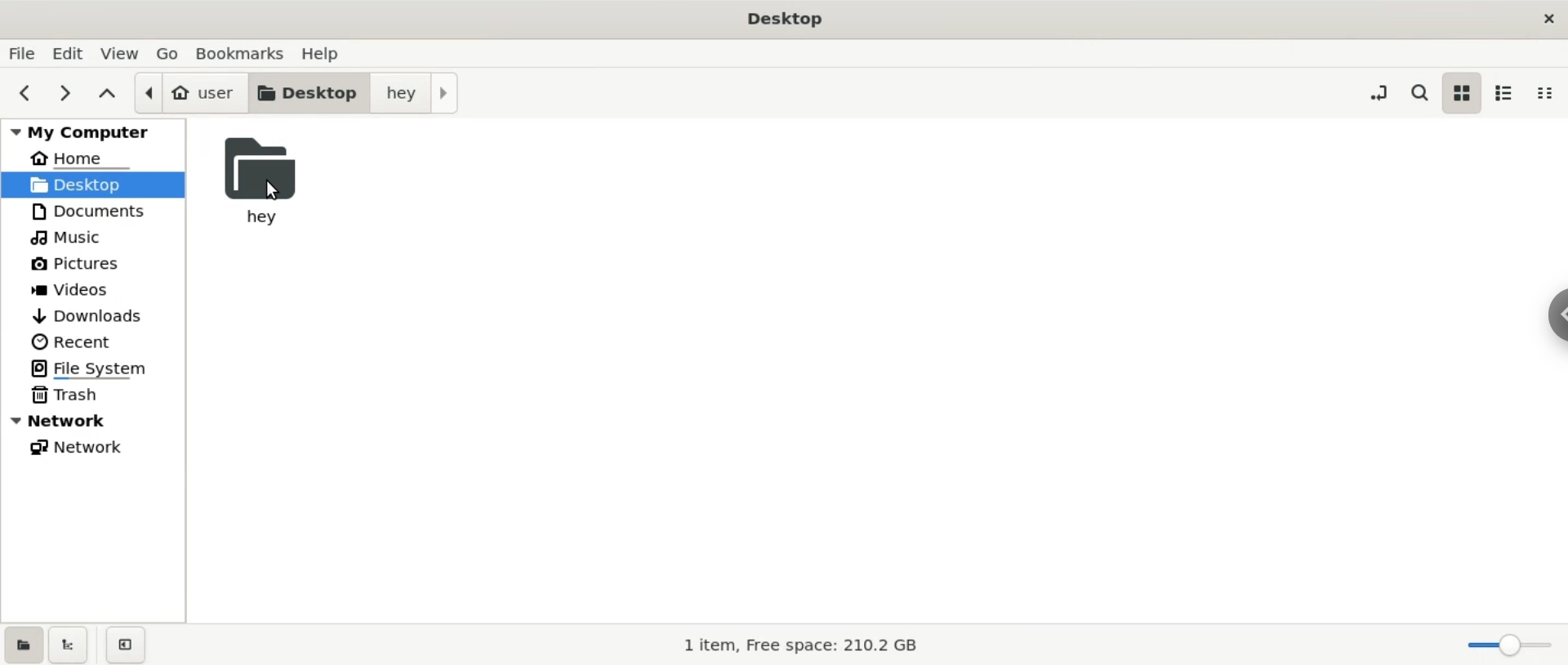 This screenshot has height=665, width=1568. I want to click on downloads, so click(96, 312).